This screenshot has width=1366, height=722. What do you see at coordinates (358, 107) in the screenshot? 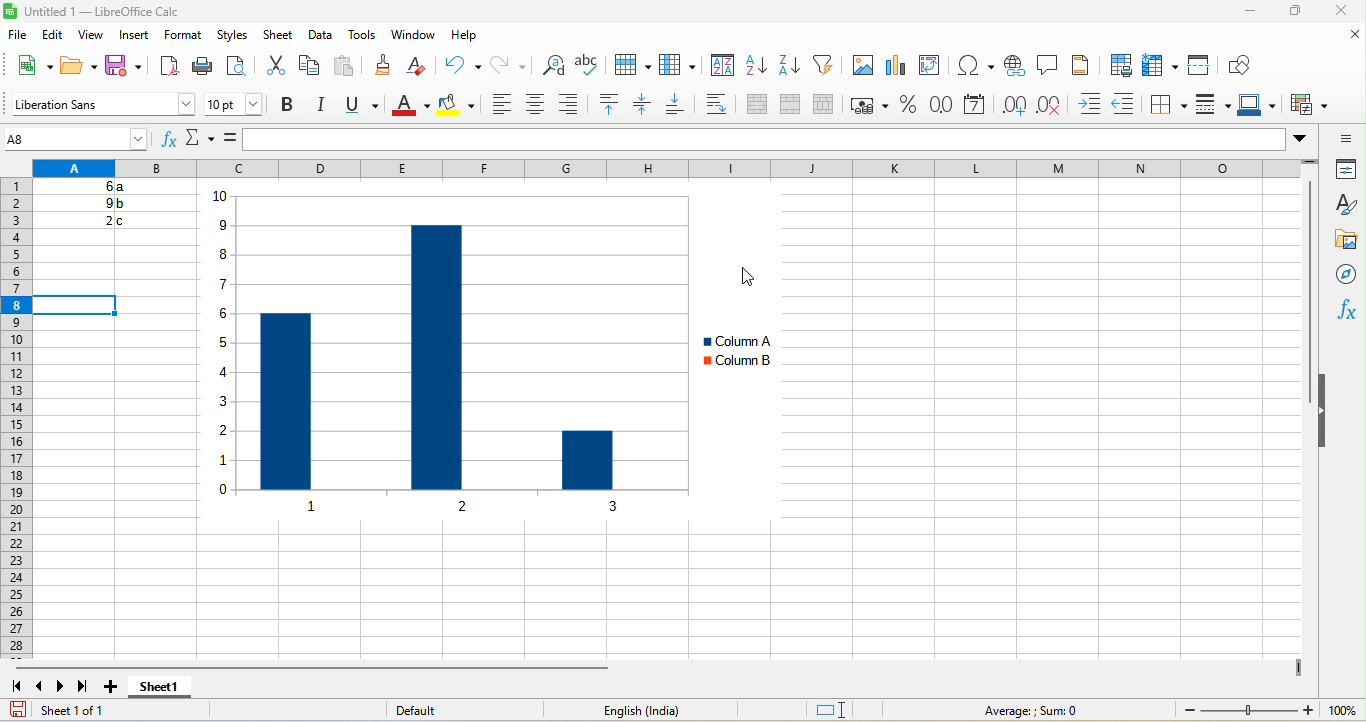
I see `underline` at bounding box center [358, 107].